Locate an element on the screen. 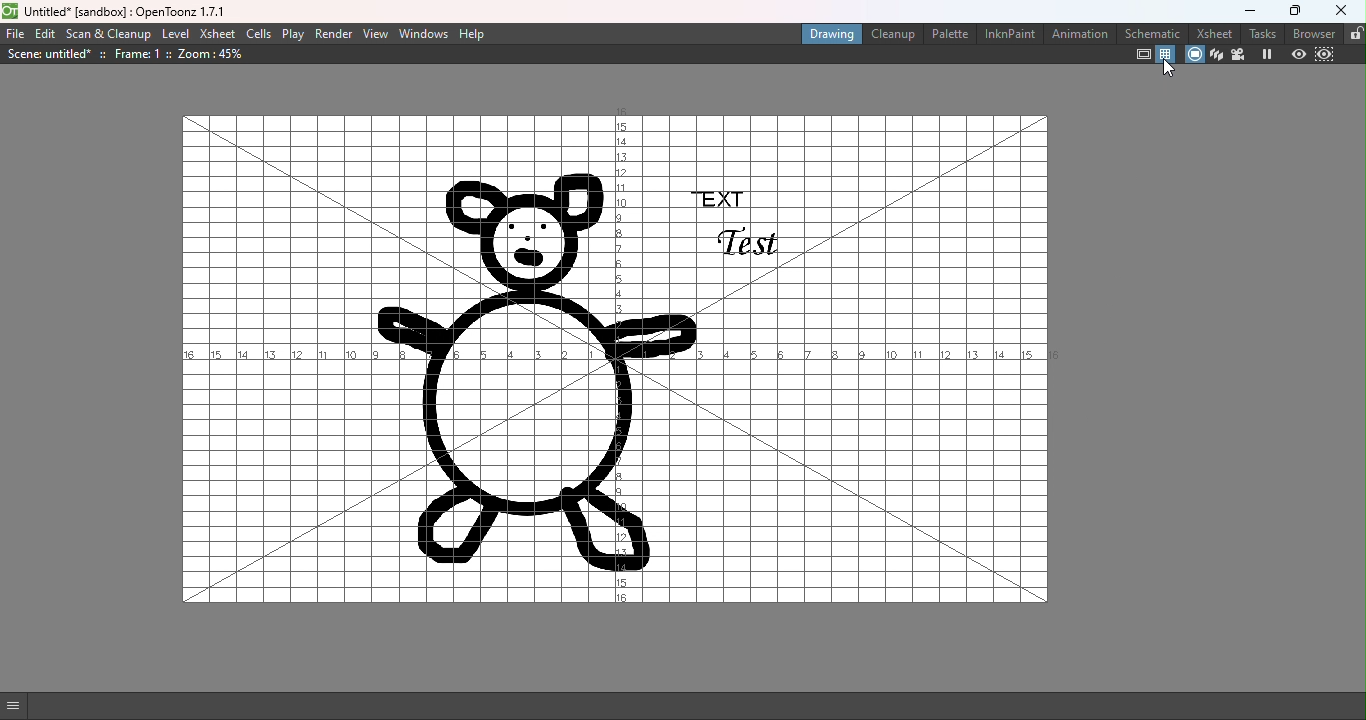 Image resolution: width=1366 pixels, height=720 pixels. Field guide is located at coordinates (1167, 53).